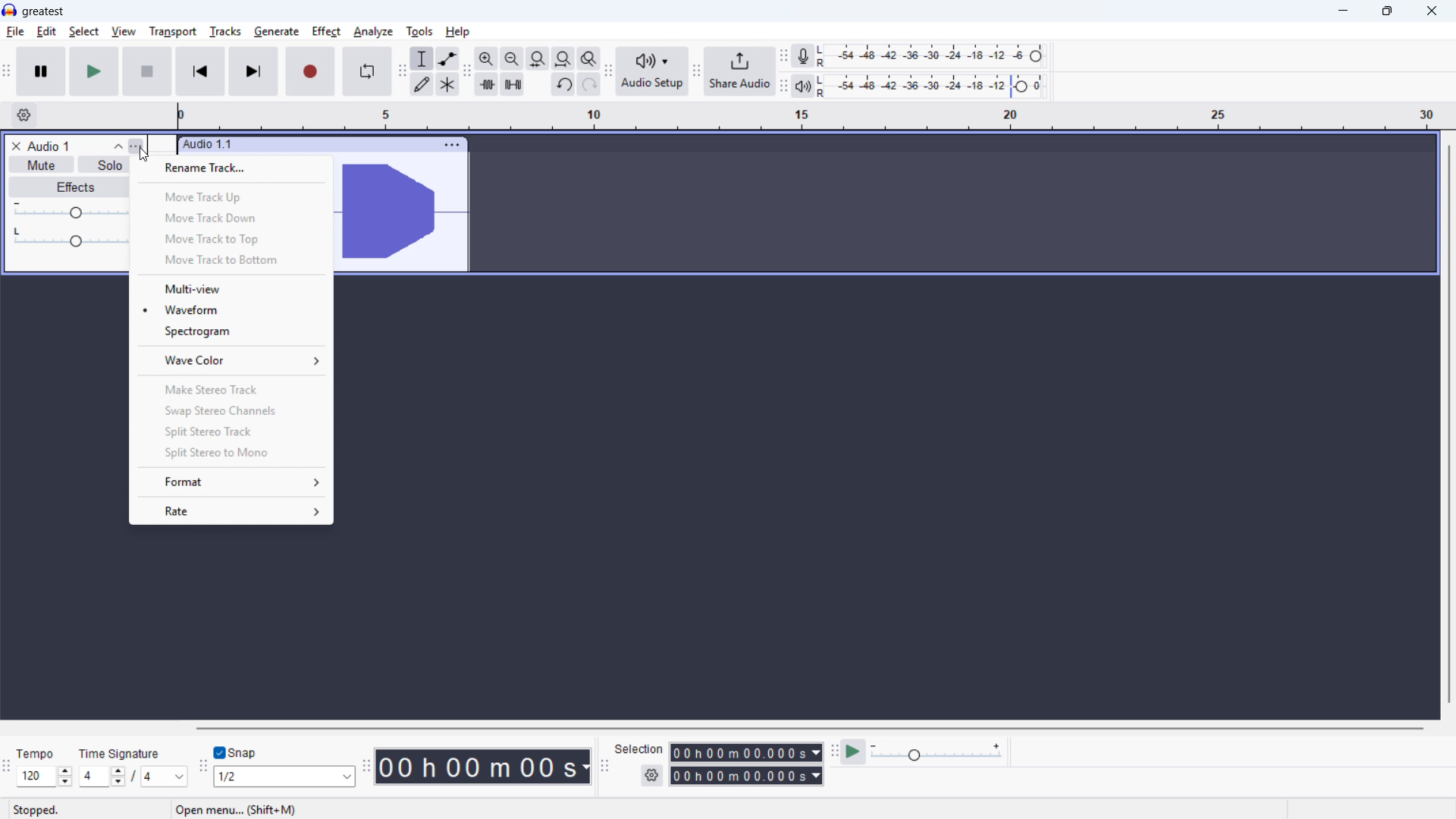 This screenshot has height=819, width=1456. I want to click on Cursor , so click(145, 154).